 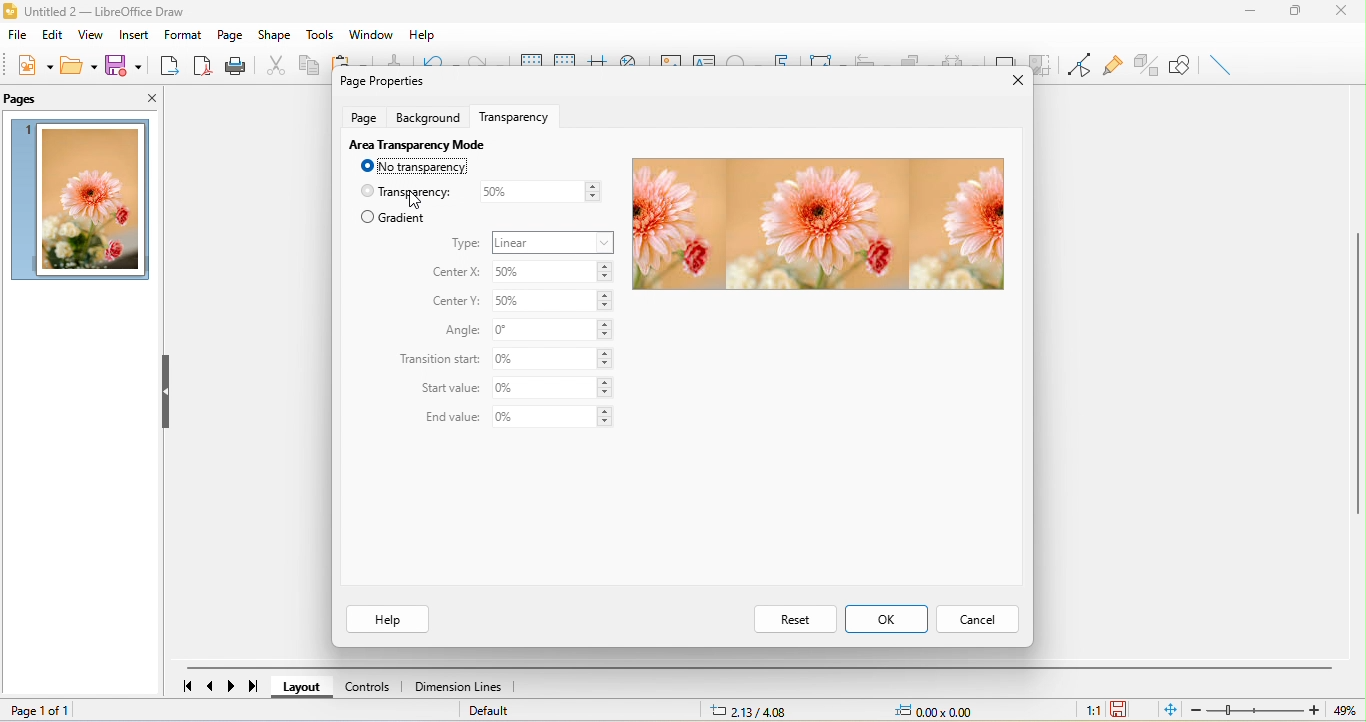 I want to click on first page, so click(x=187, y=684).